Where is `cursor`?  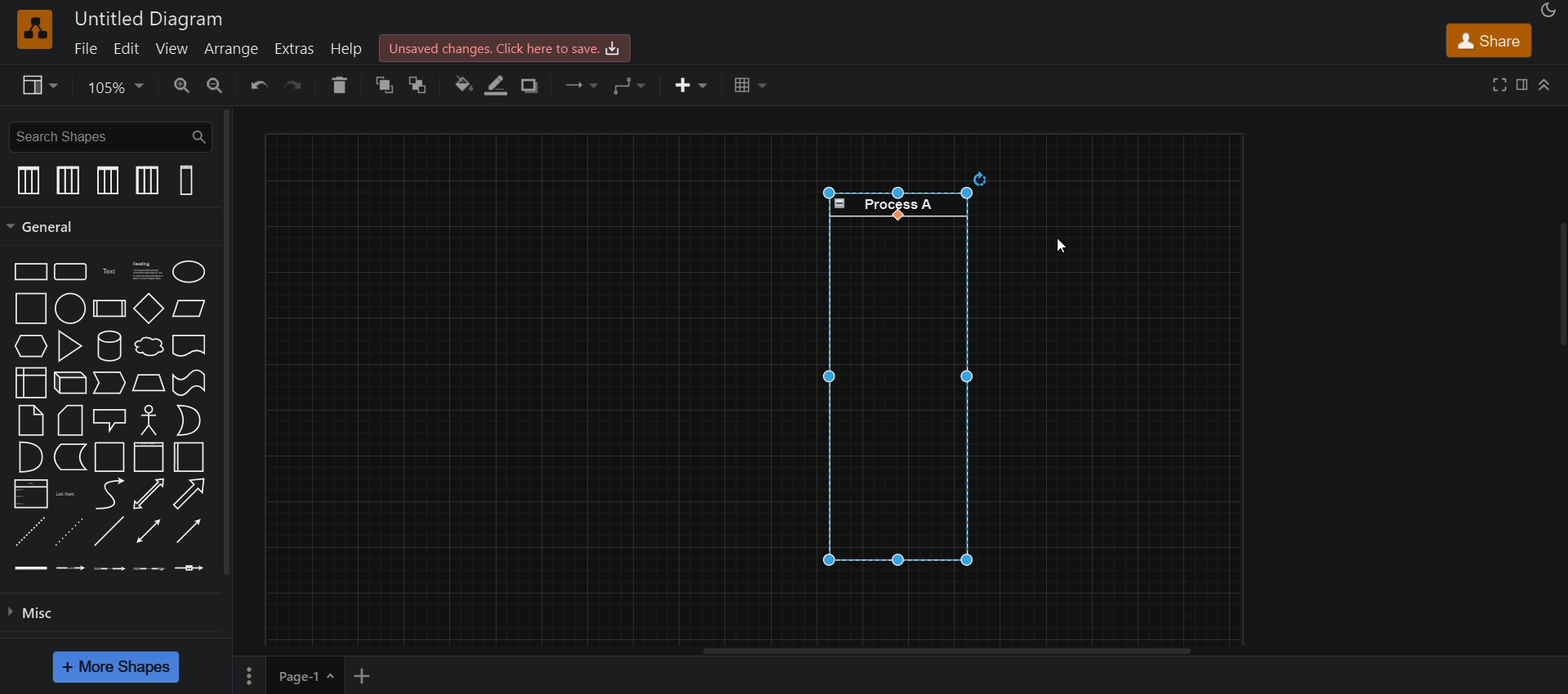 cursor is located at coordinates (1059, 247).